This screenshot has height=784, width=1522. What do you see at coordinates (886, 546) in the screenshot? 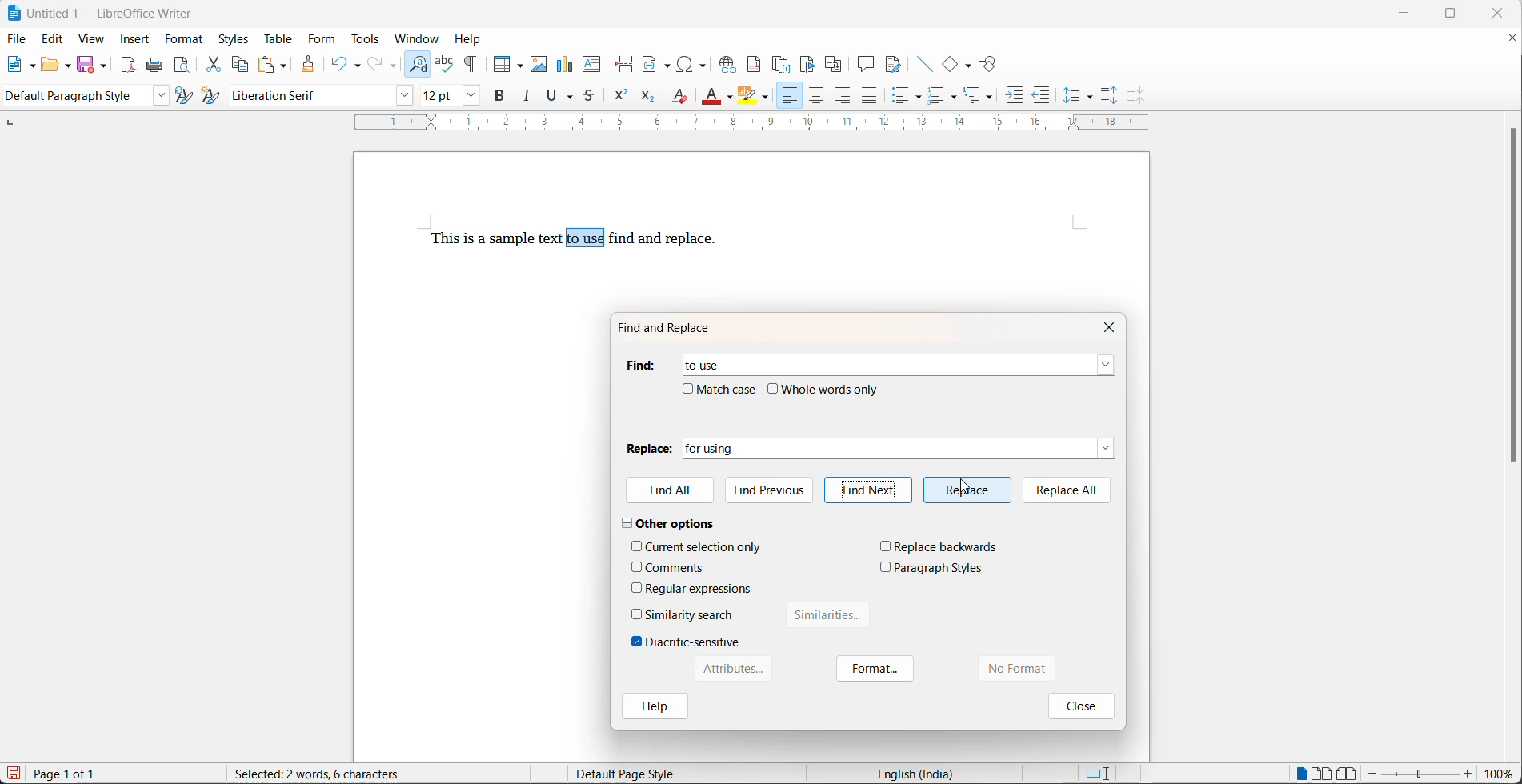
I see `checkbox` at bounding box center [886, 546].